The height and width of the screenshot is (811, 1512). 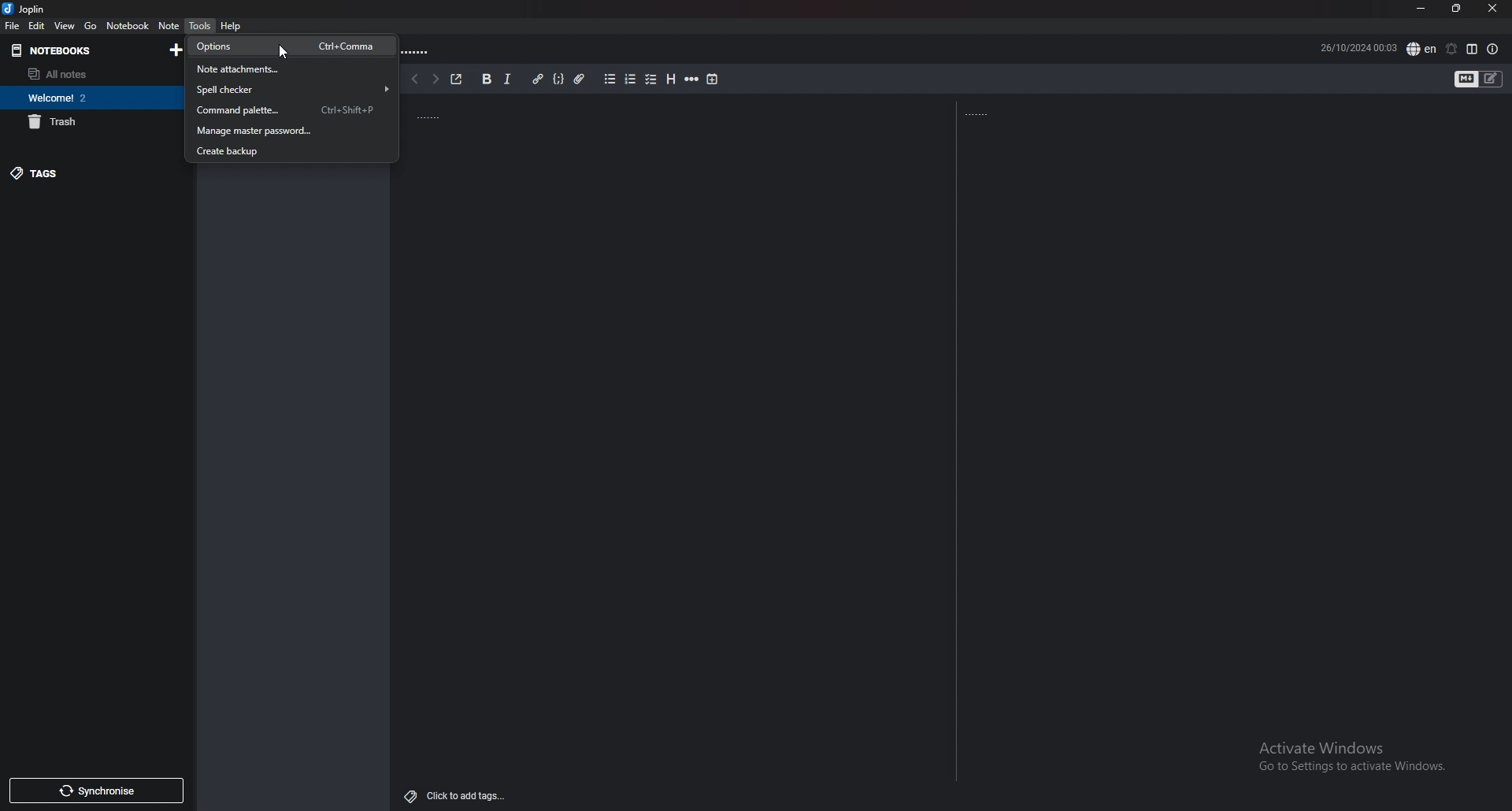 What do you see at coordinates (1456, 8) in the screenshot?
I see `resize` at bounding box center [1456, 8].